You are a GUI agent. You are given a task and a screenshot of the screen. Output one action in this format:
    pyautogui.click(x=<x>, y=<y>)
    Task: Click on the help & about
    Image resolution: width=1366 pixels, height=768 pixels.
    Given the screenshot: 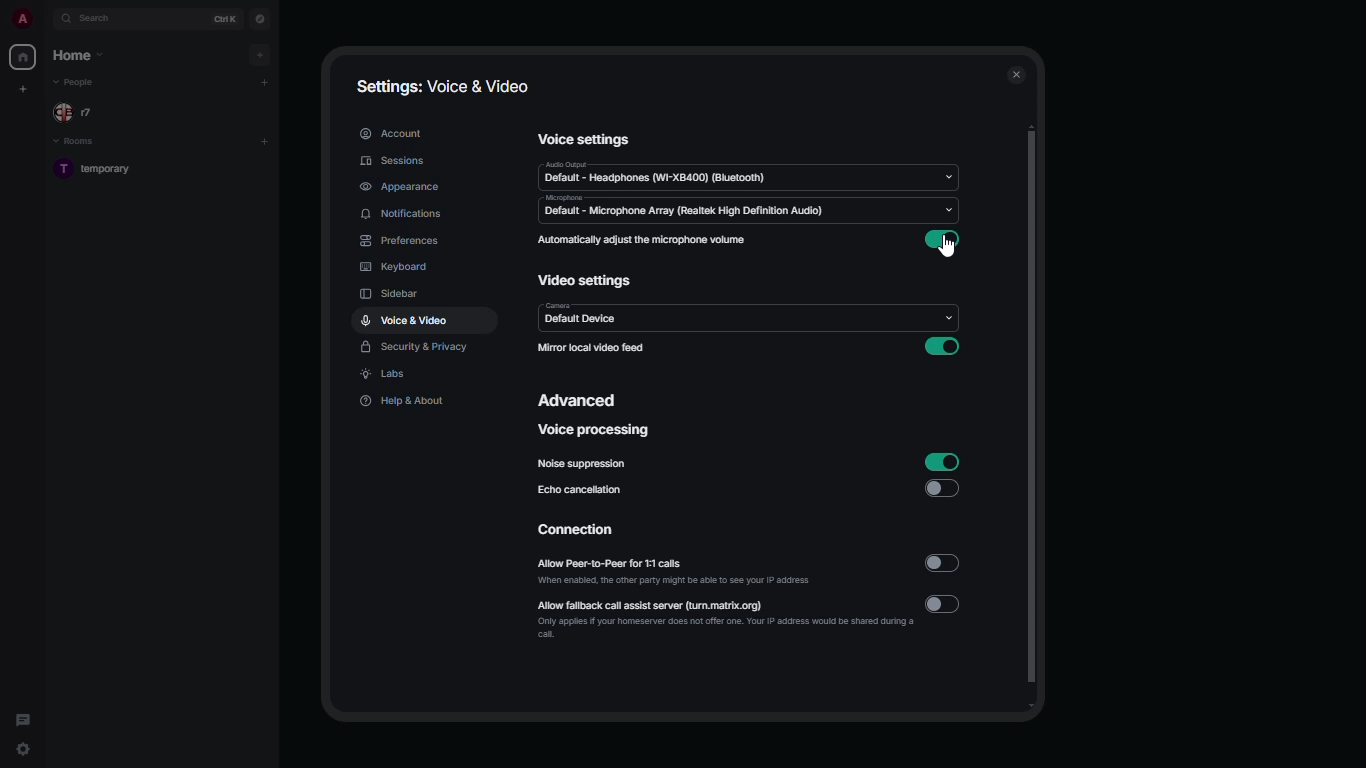 What is the action you would take?
    pyautogui.click(x=399, y=401)
    